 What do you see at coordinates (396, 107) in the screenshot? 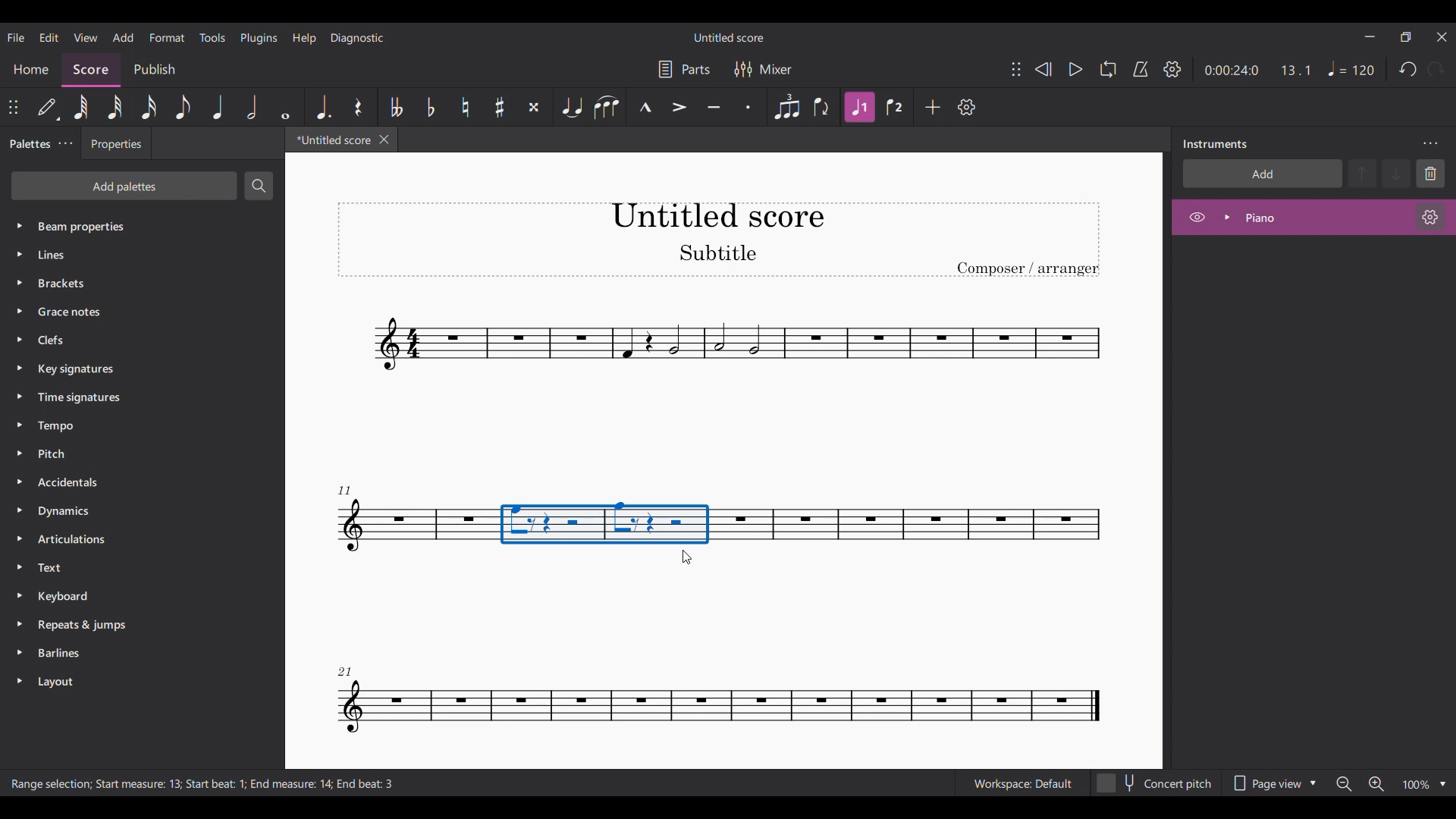
I see `Toggle double flat` at bounding box center [396, 107].